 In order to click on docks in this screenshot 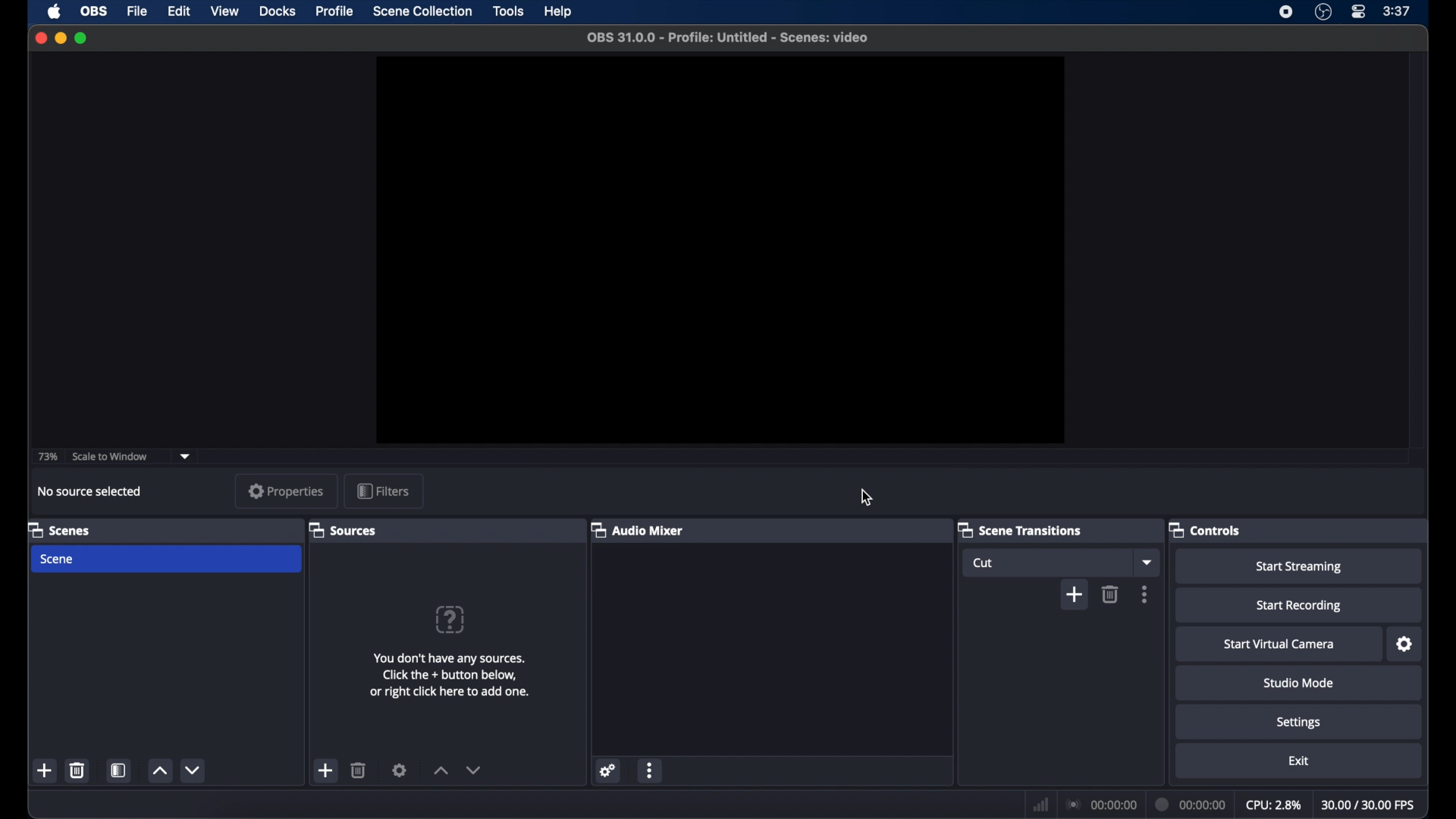, I will do `click(278, 11)`.